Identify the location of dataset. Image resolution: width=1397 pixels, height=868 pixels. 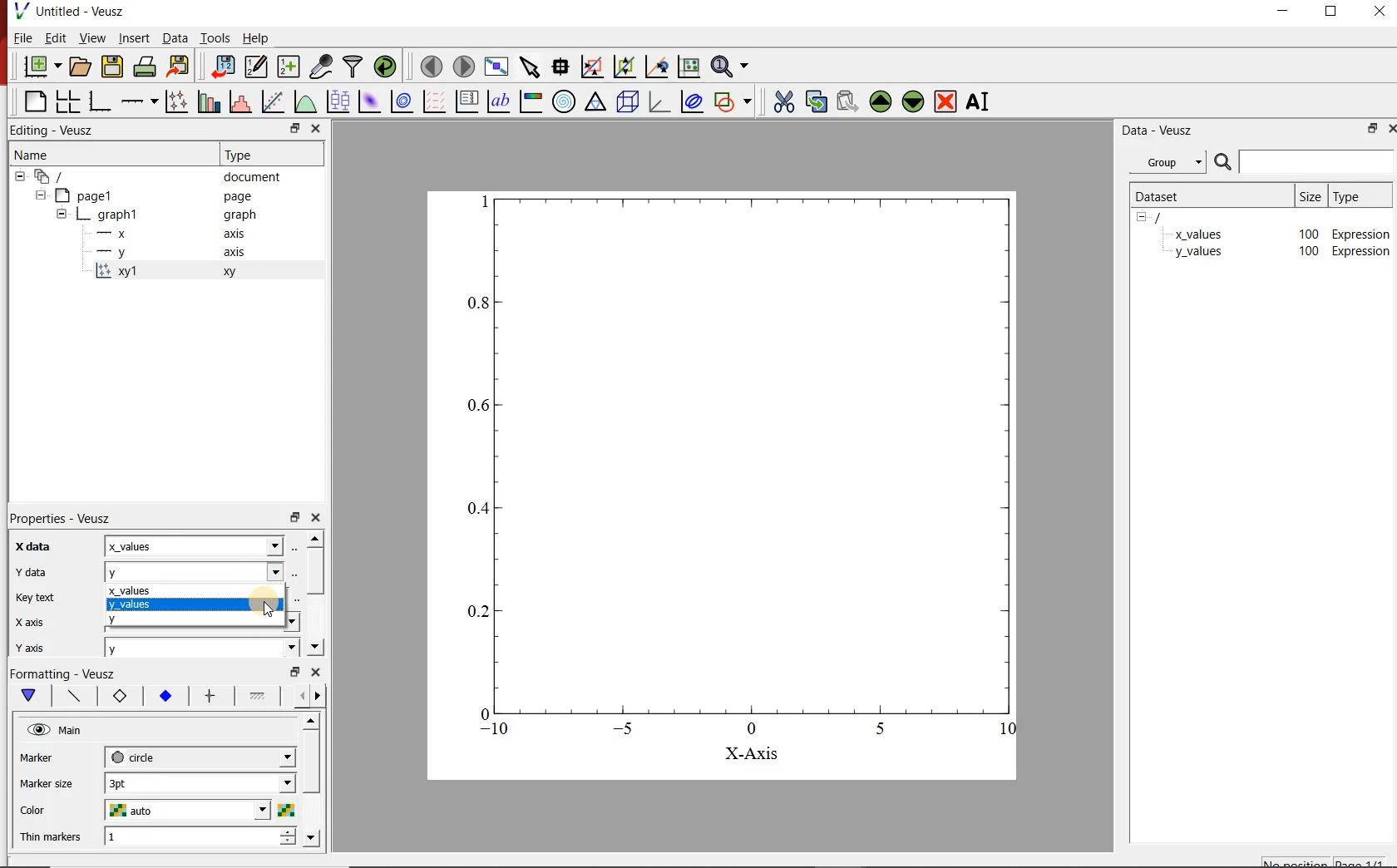
(1170, 196).